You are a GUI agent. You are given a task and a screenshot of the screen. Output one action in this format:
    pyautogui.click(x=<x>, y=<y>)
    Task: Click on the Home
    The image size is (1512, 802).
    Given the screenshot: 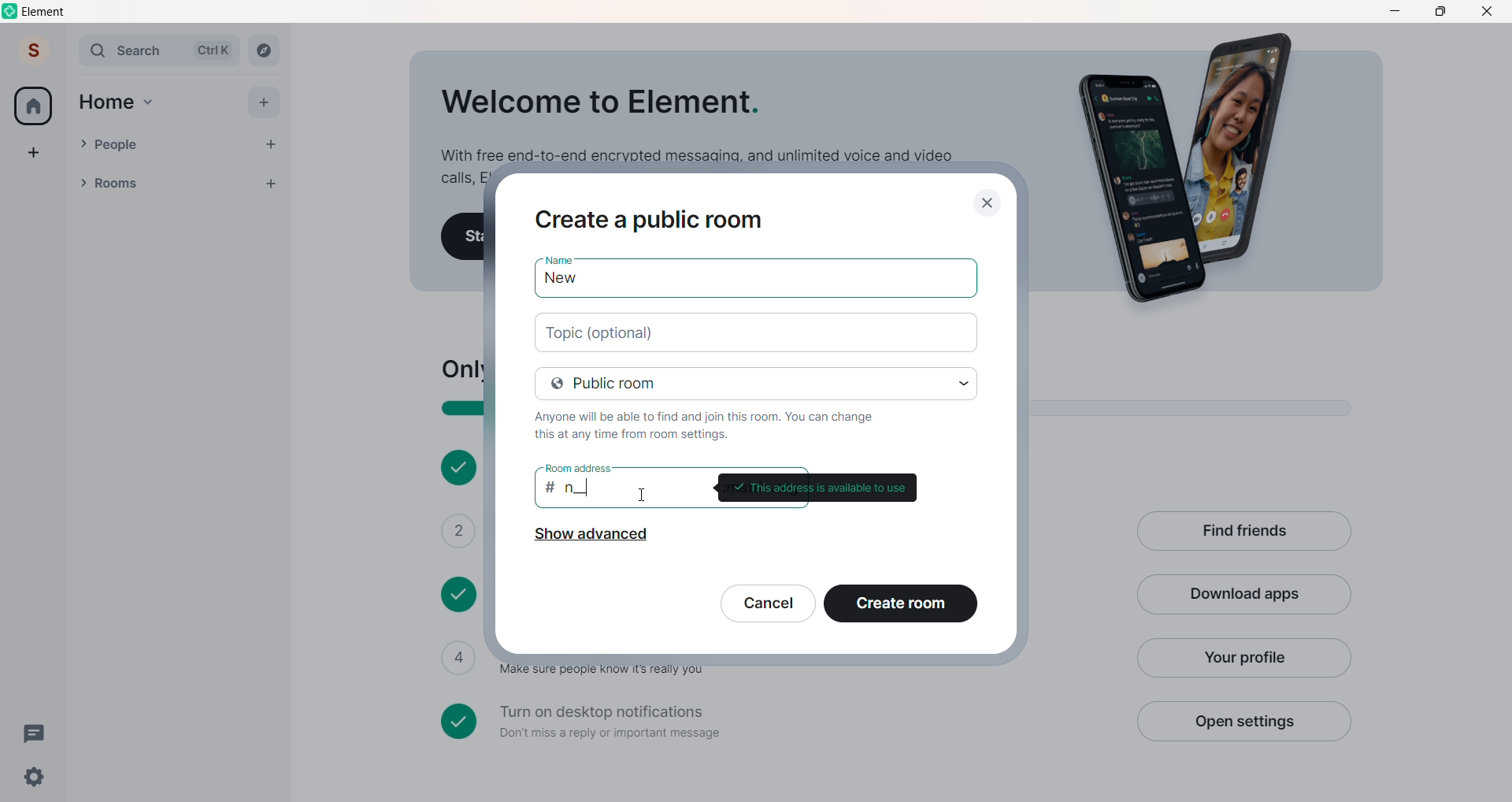 What is the action you would take?
    pyautogui.click(x=106, y=102)
    